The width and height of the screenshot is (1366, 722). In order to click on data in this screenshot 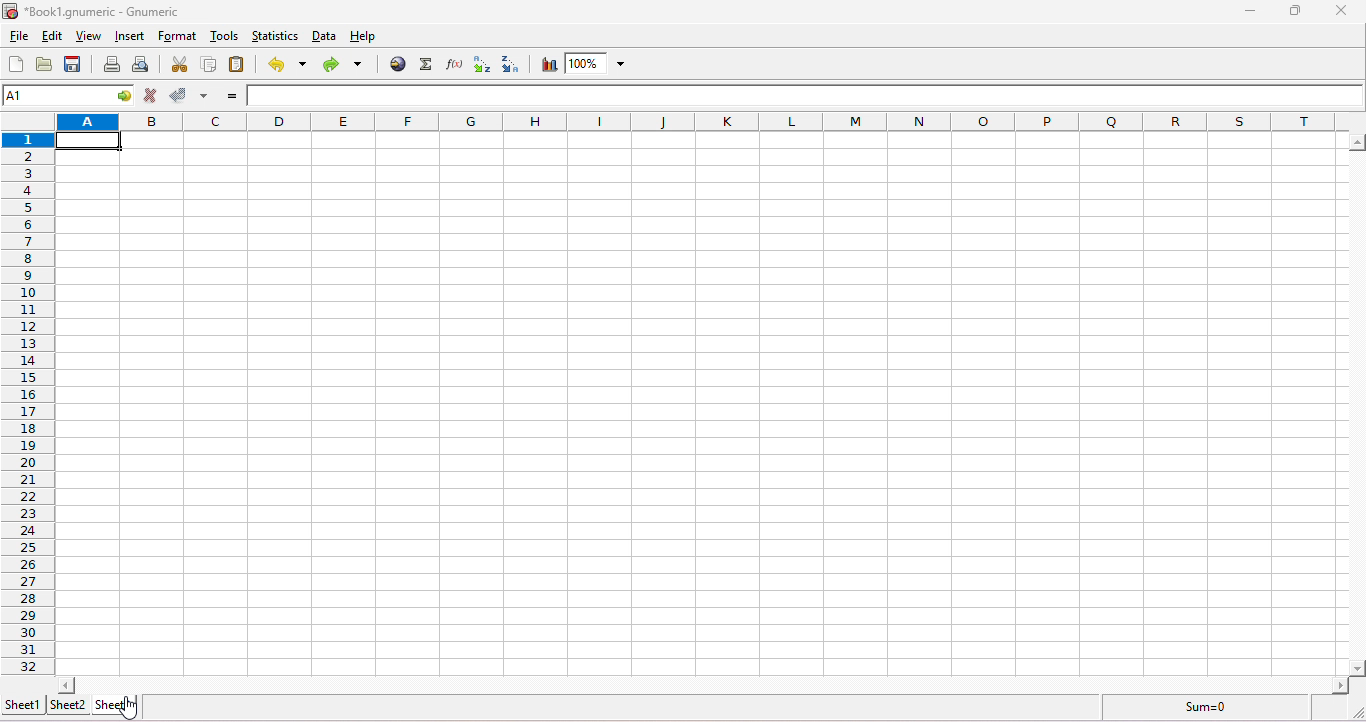, I will do `click(326, 32)`.